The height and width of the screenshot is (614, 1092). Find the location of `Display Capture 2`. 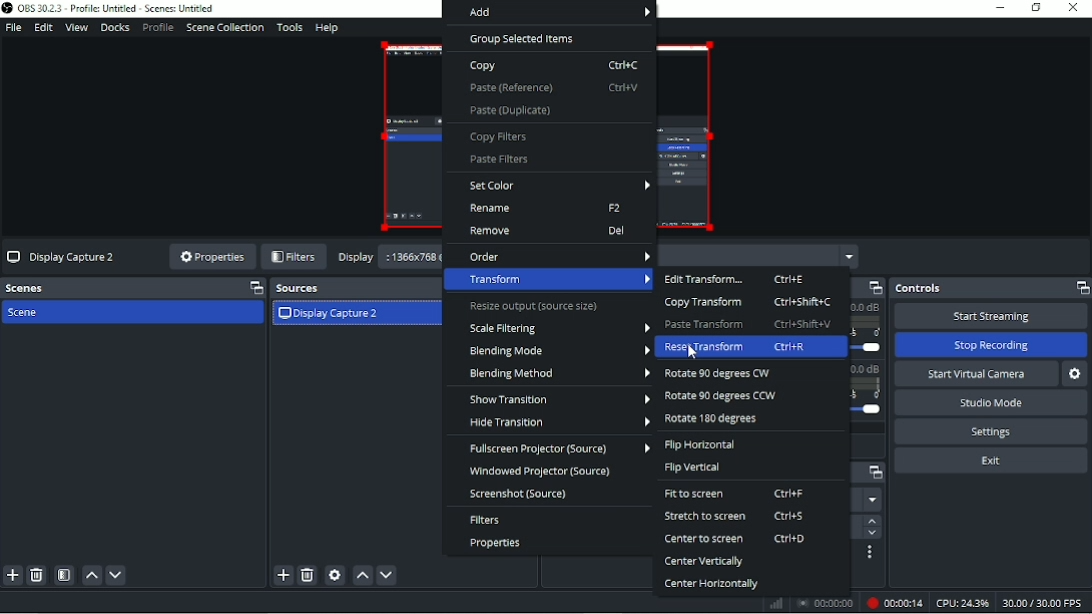

Display Capture 2 is located at coordinates (329, 315).